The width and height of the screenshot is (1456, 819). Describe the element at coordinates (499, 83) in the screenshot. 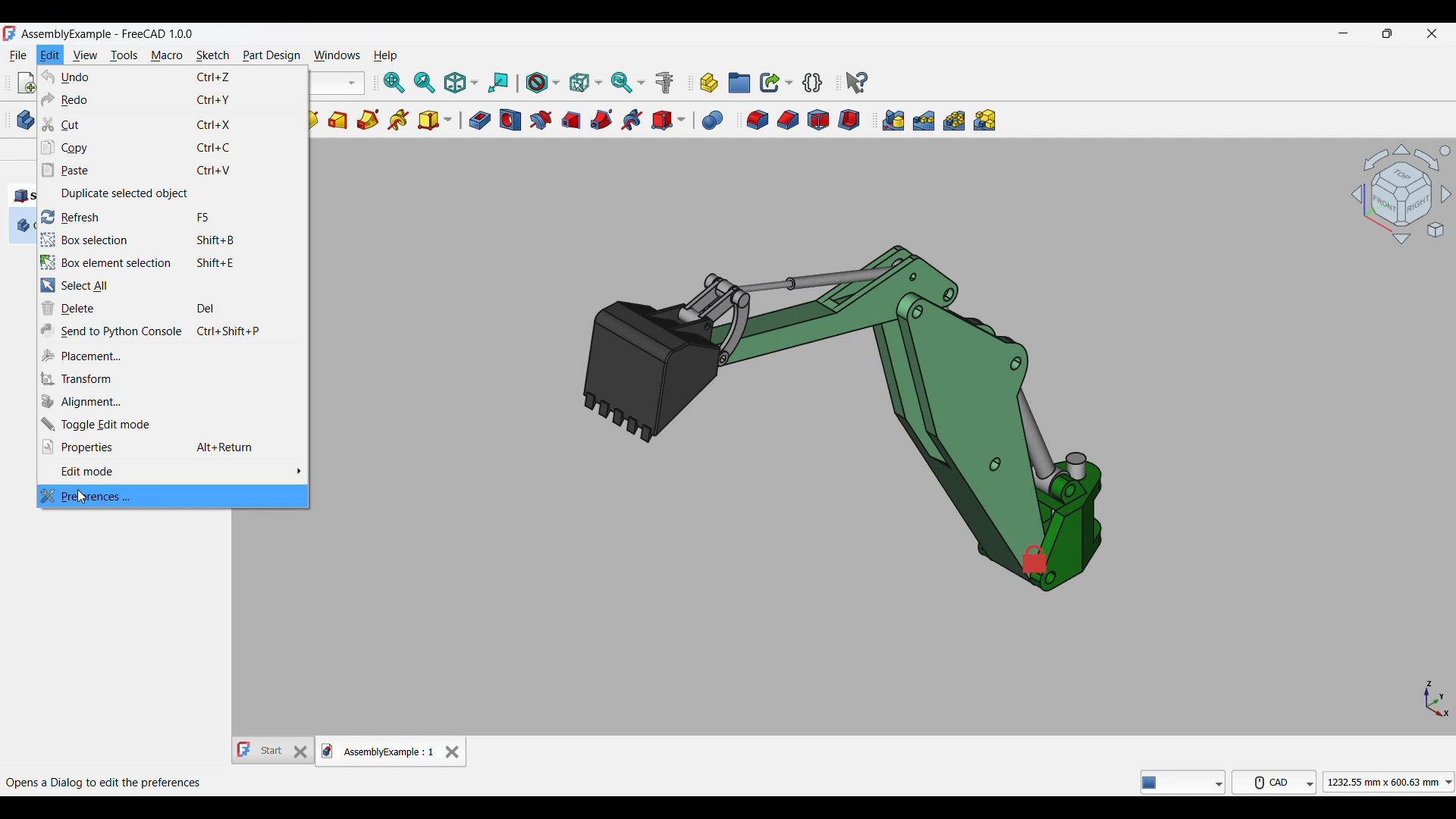

I see `Align to selection` at that location.